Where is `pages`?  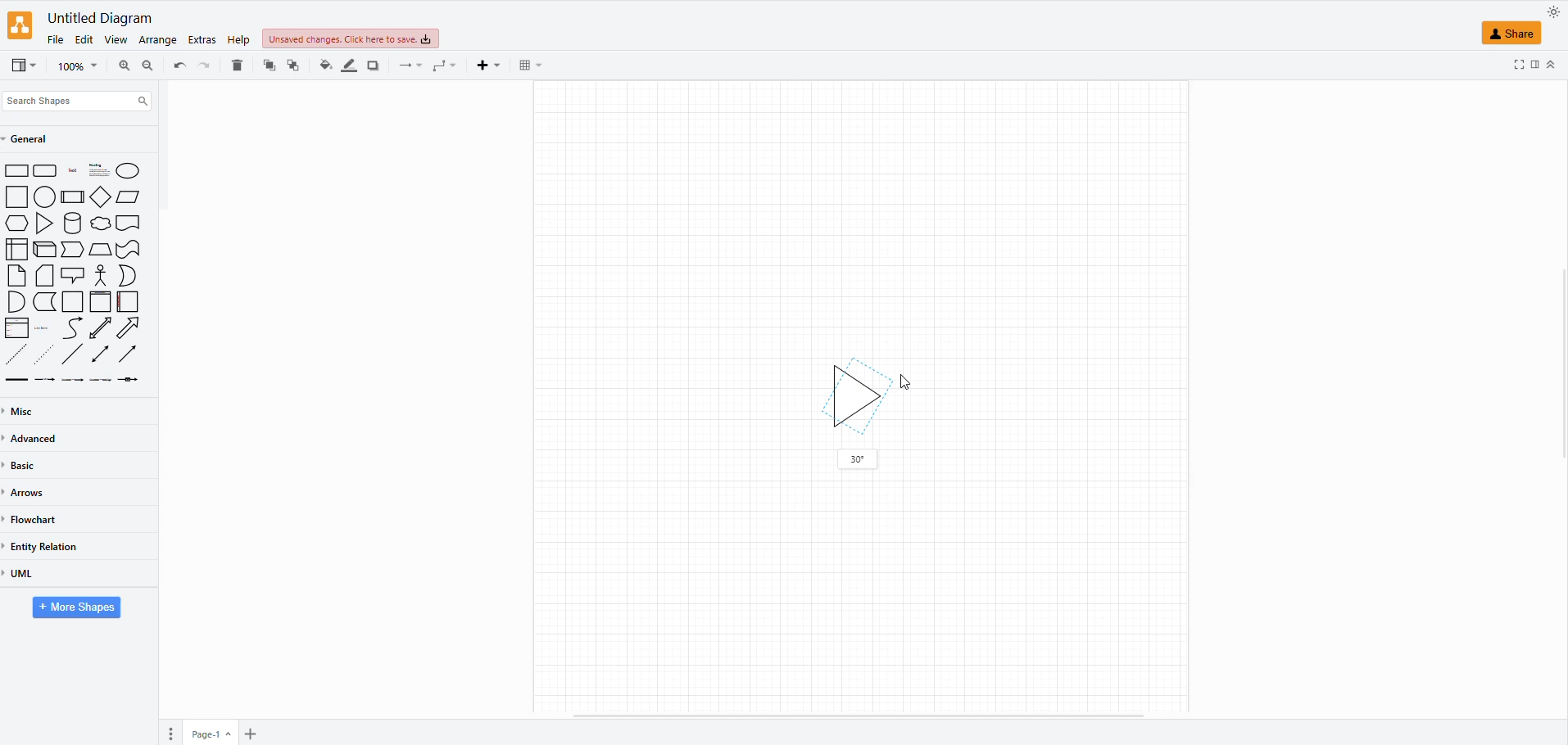 pages is located at coordinates (169, 734).